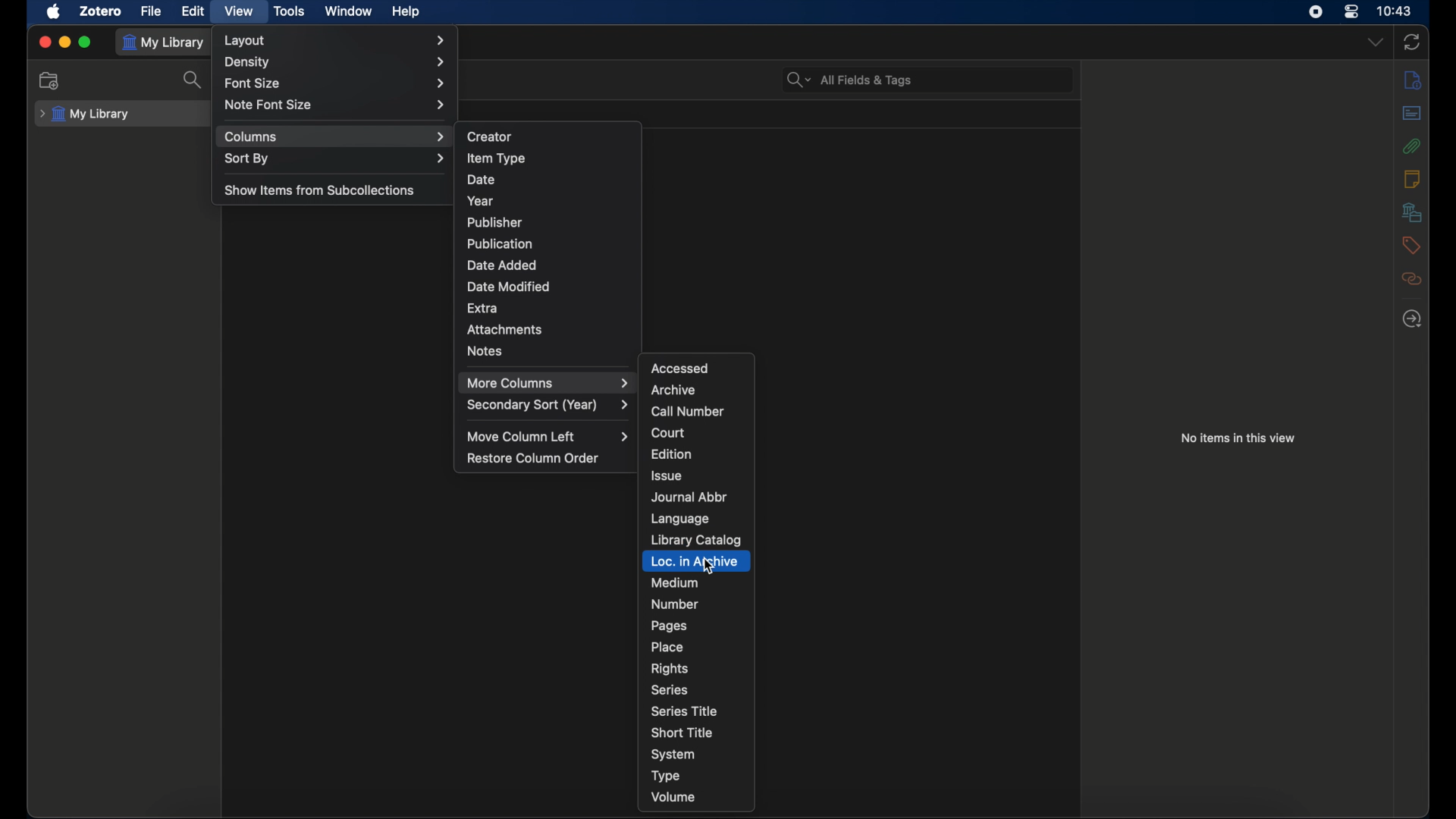  I want to click on density, so click(336, 62).